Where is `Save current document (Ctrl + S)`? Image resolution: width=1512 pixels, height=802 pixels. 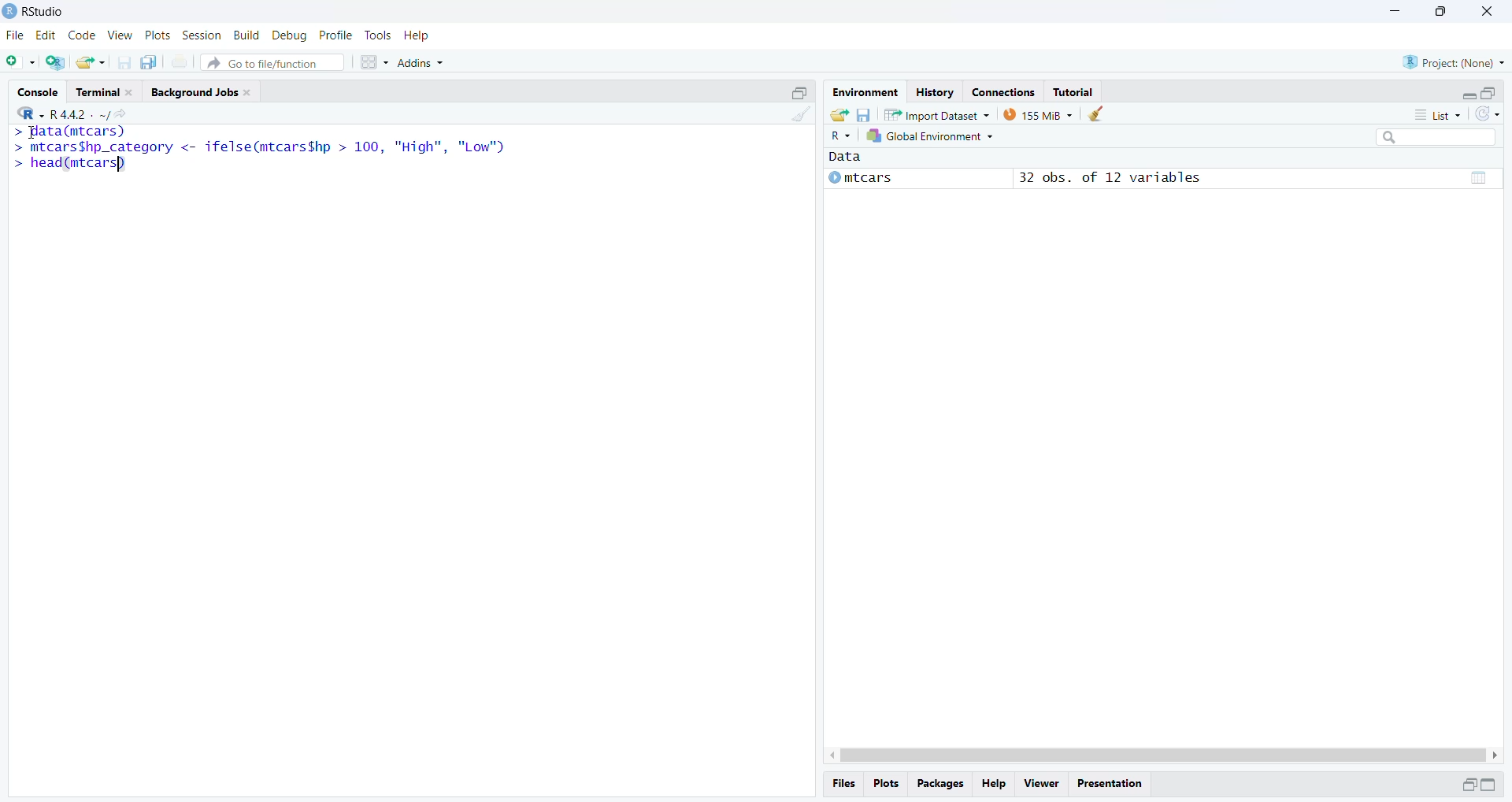 Save current document (Ctrl + S) is located at coordinates (128, 62).